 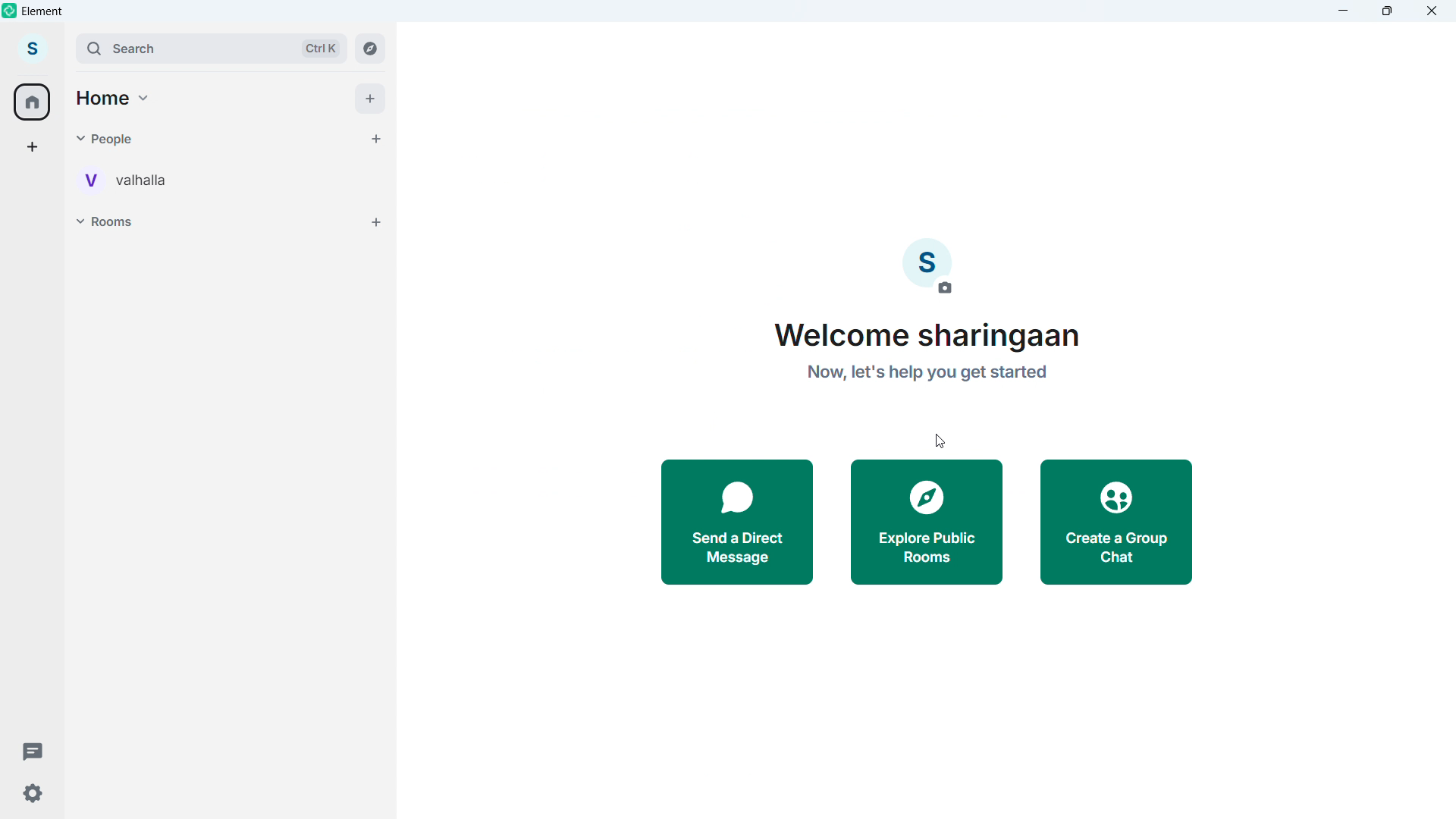 I want to click on Create a group chat , so click(x=1119, y=523).